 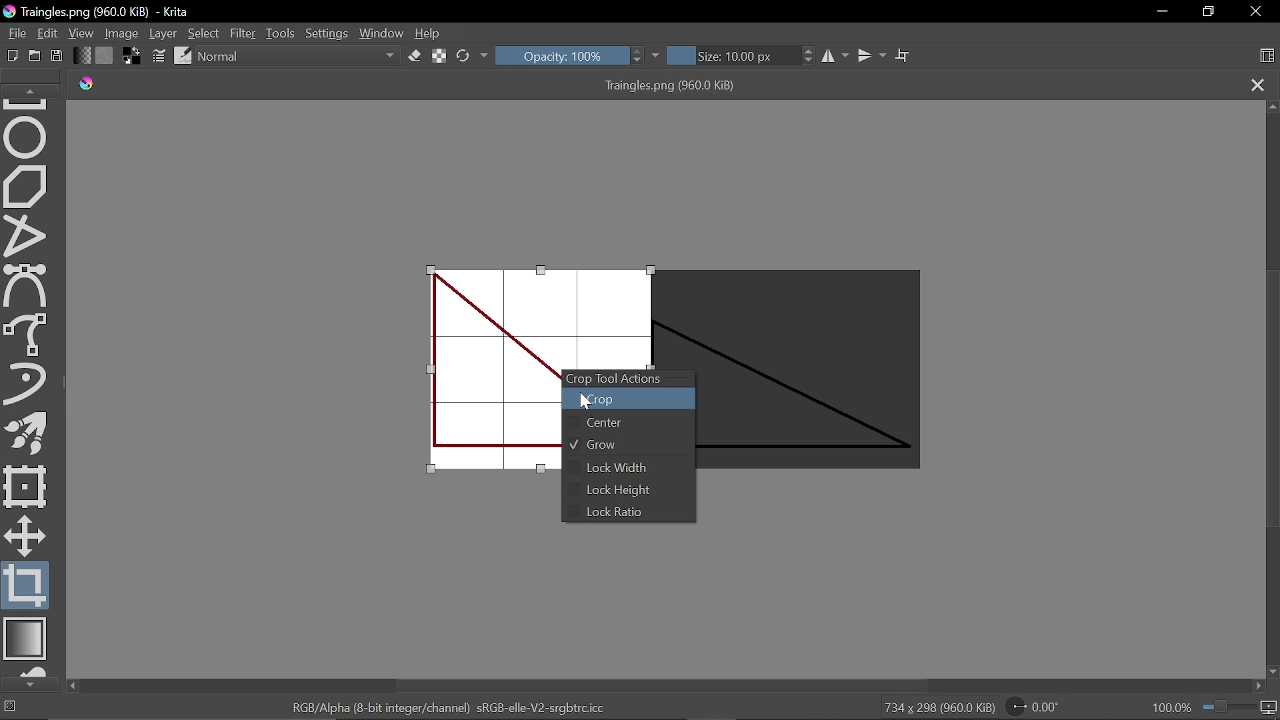 I want to click on Normal, so click(x=299, y=57).